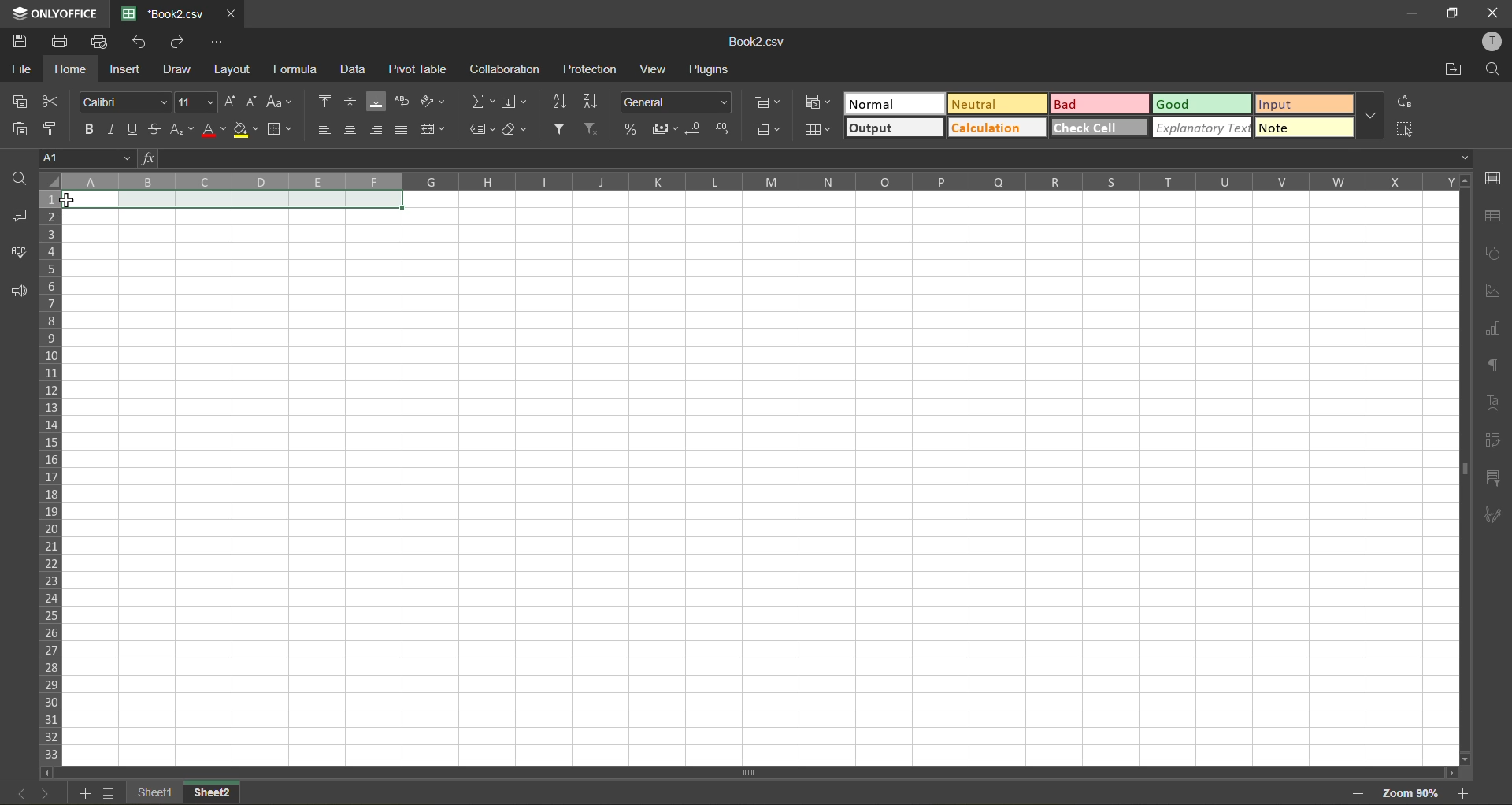  Describe the element at coordinates (358, 69) in the screenshot. I see `data` at that location.